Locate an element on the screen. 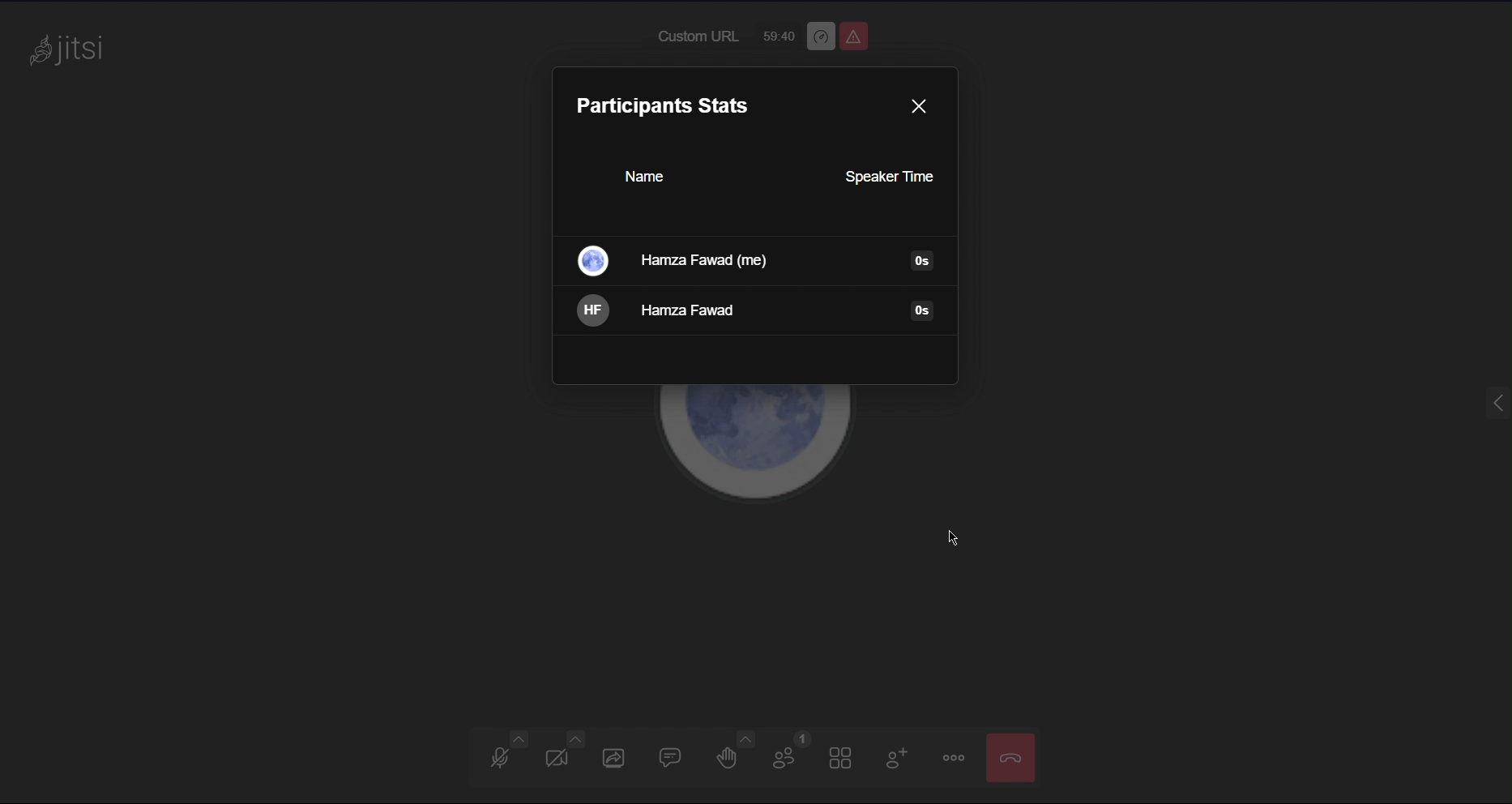 The width and height of the screenshot is (1512, 804). Close is located at coordinates (925, 105).